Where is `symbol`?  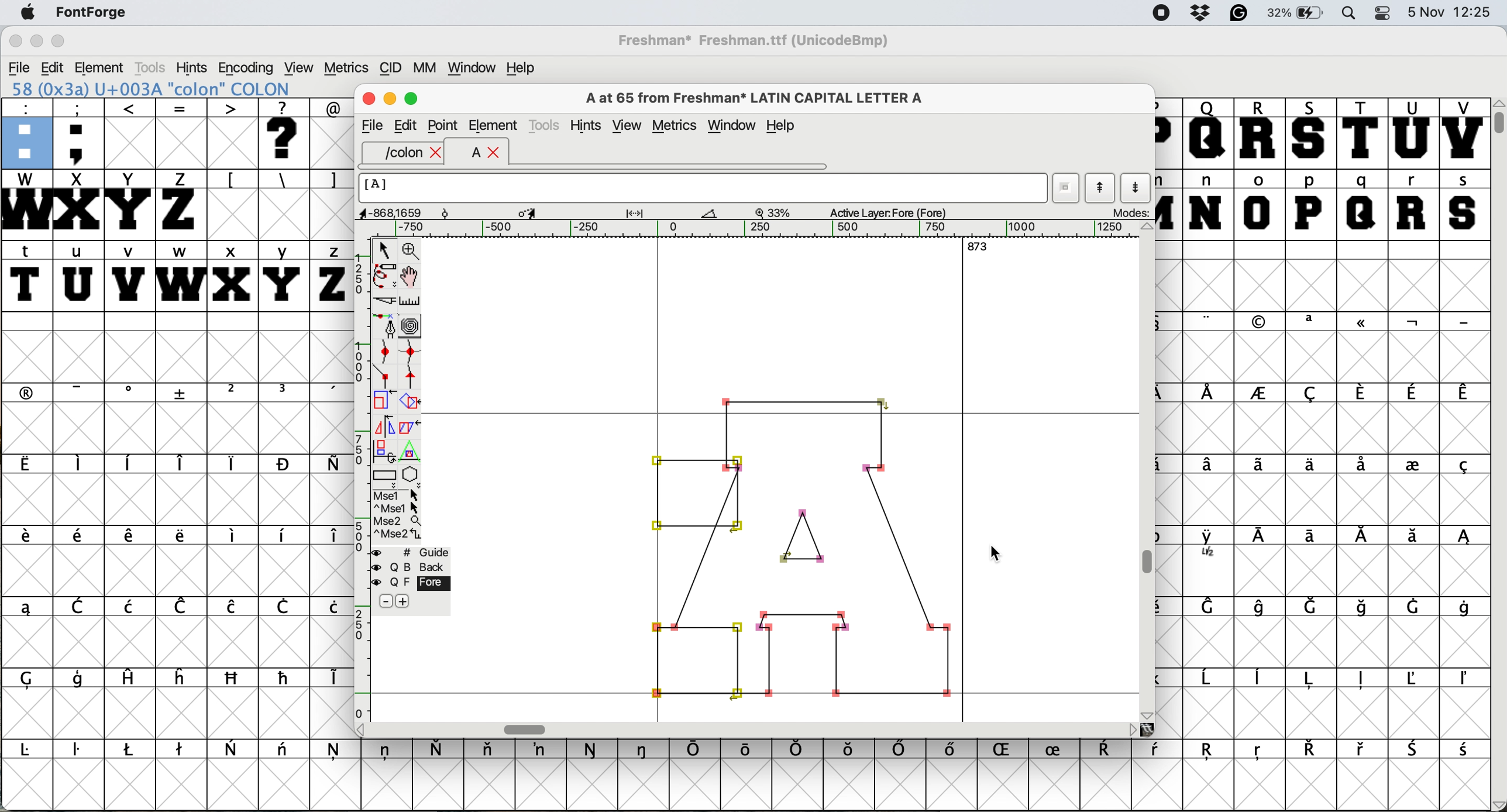
symbol is located at coordinates (1312, 679).